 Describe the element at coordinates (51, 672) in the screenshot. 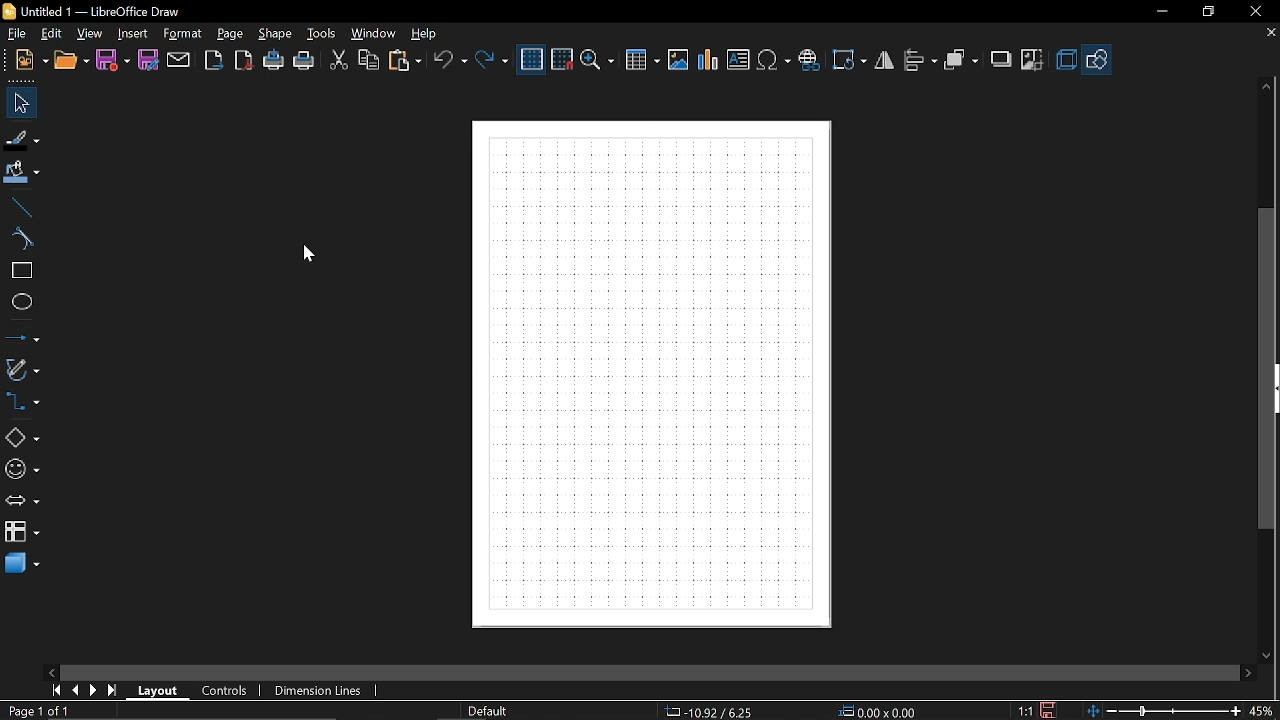

I see `move left` at that location.